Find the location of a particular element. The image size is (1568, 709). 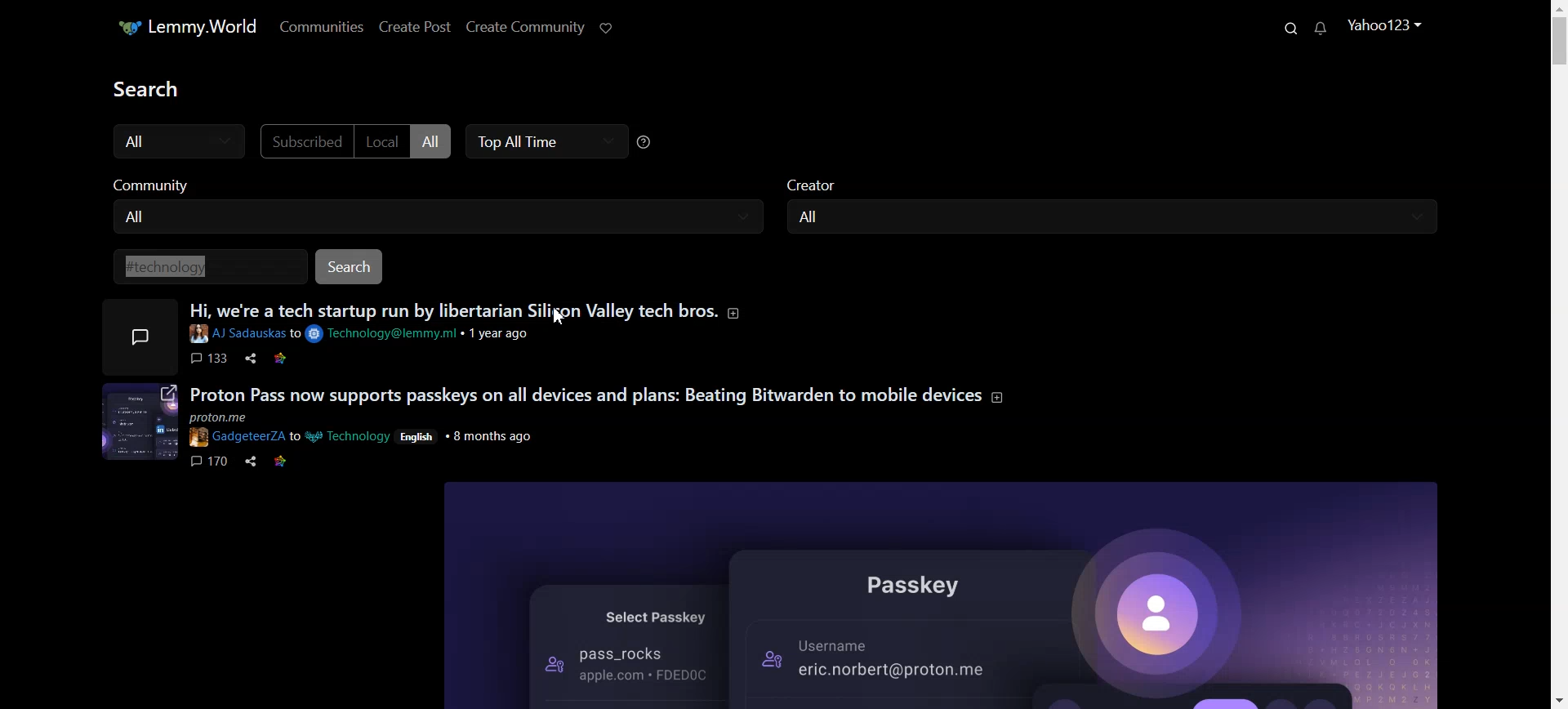

170 comments is located at coordinates (209, 463).